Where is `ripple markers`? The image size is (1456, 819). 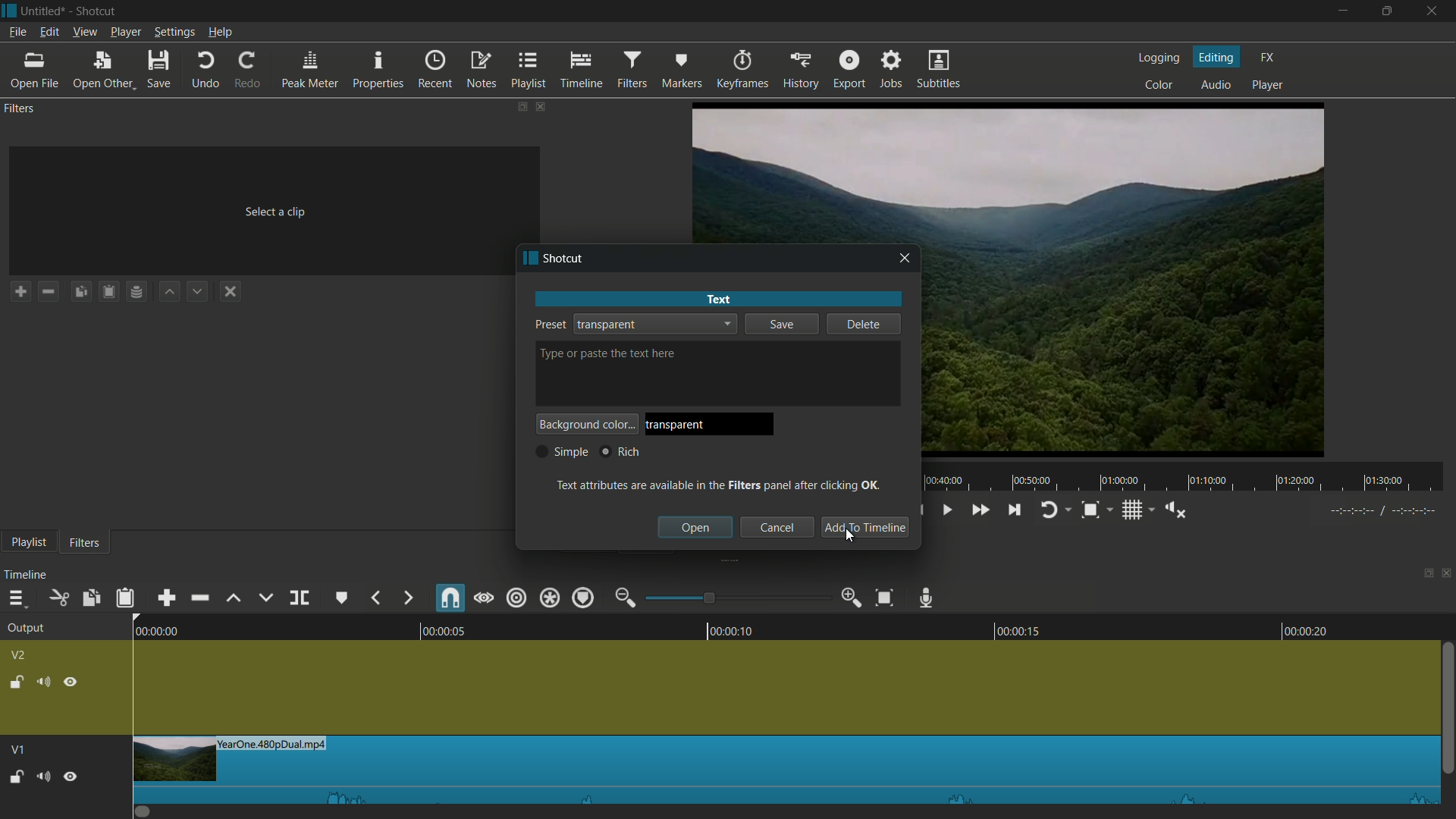 ripple markers is located at coordinates (582, 598).